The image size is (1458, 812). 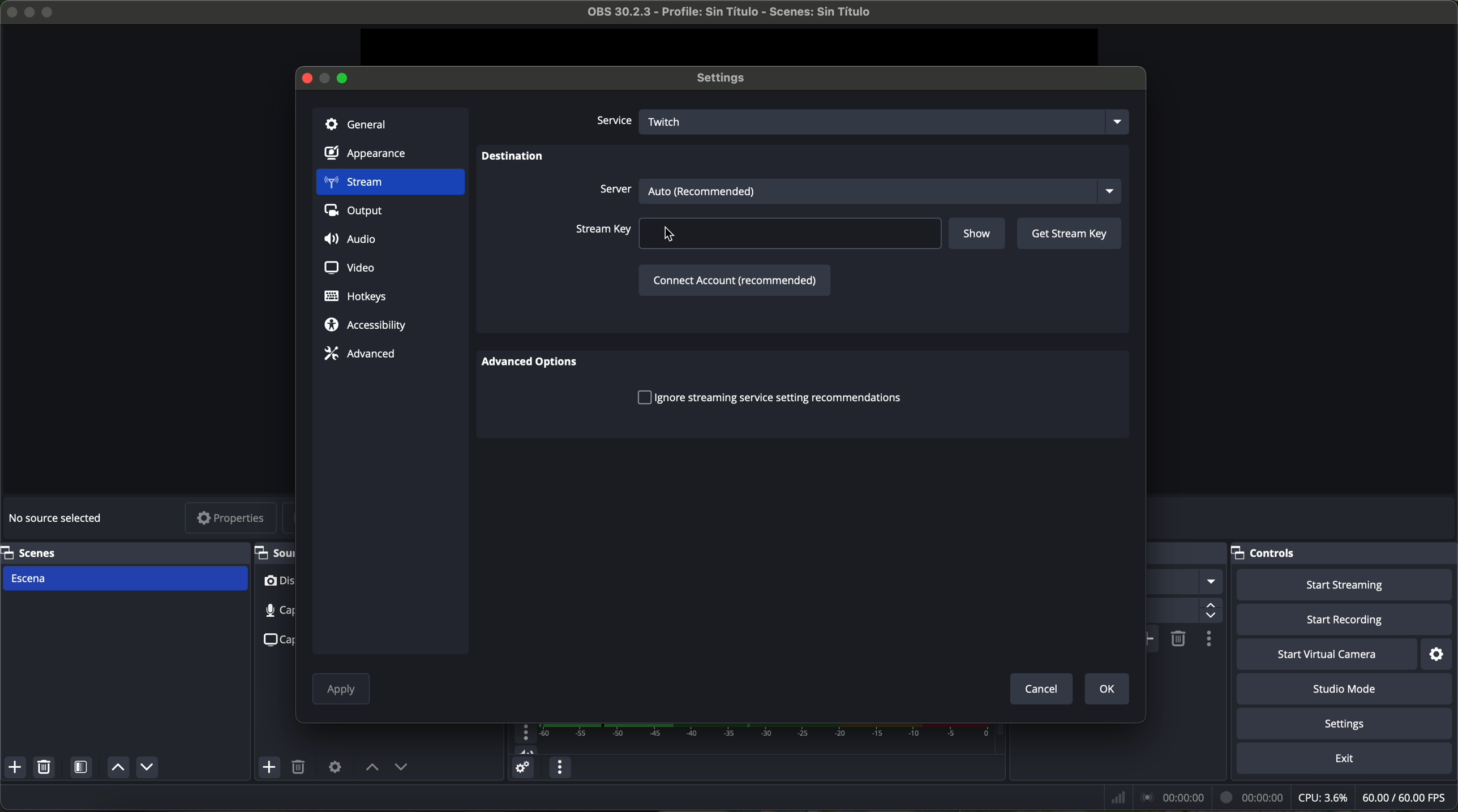 I want to click on no source selected, so click(x=59, y=516).